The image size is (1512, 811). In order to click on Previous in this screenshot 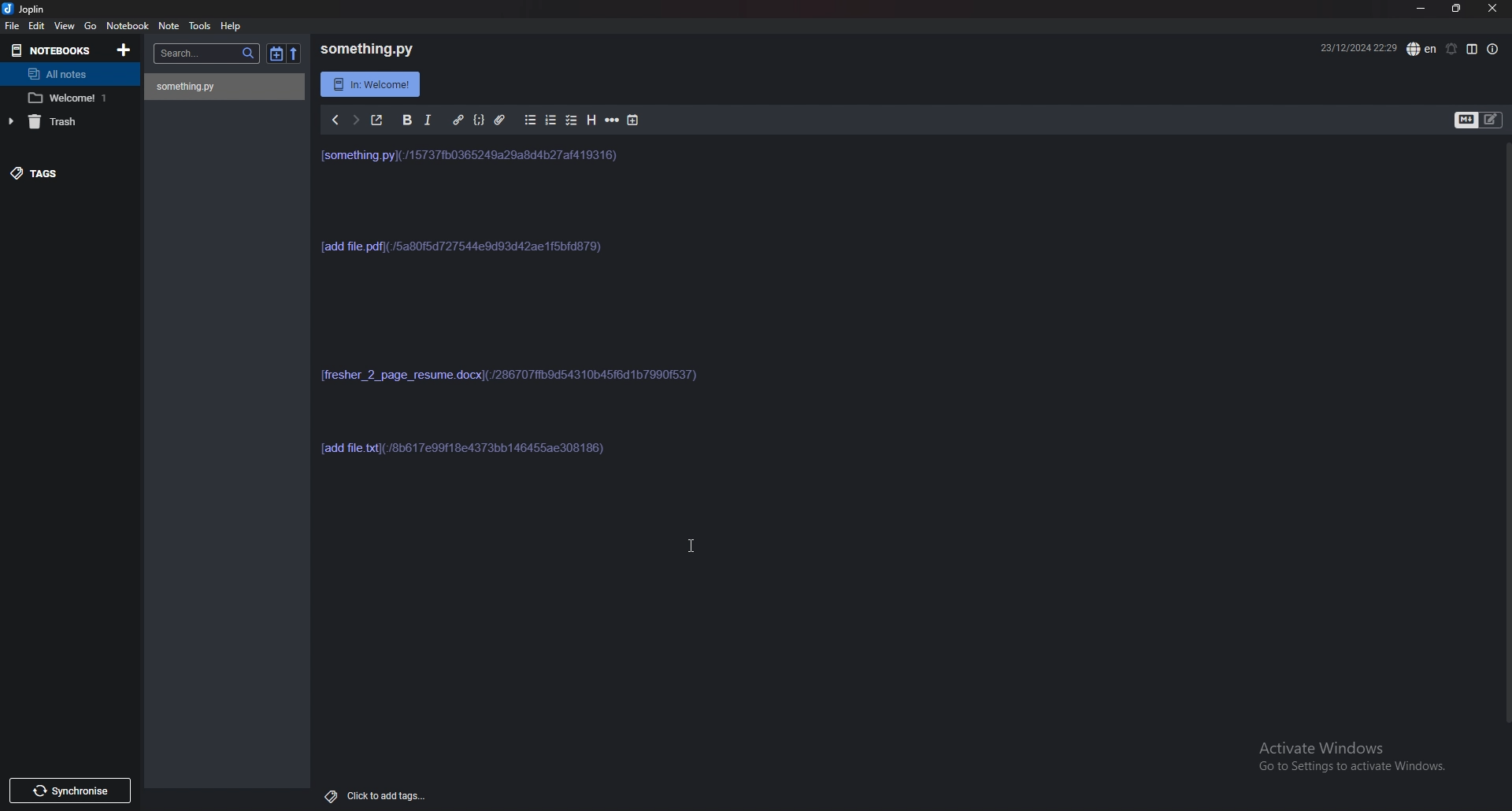, I will do `click(334, 120)`.